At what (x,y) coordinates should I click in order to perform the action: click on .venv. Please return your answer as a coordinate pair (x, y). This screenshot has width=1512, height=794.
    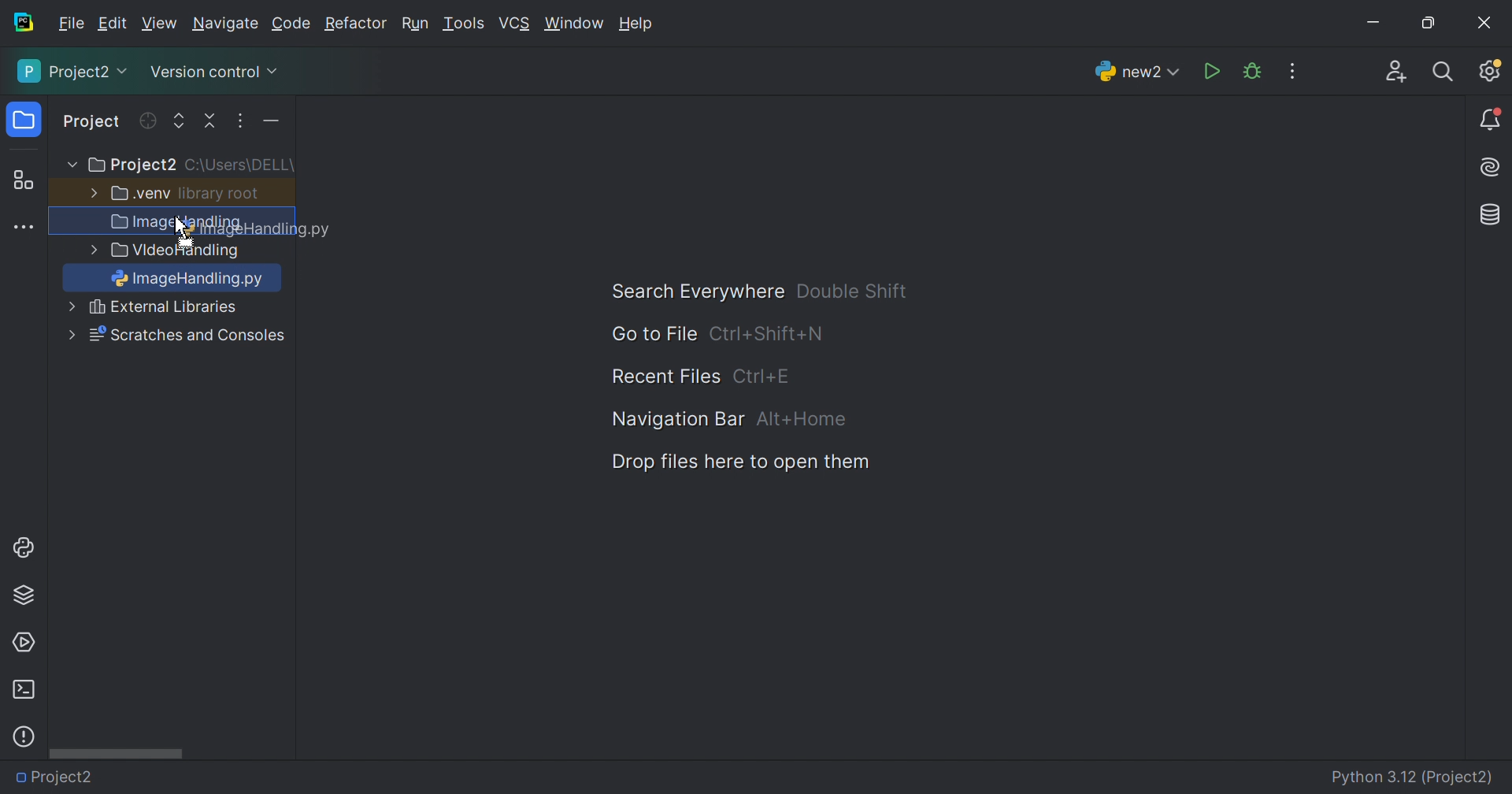
    Looking at the image, I should click on (141, 194).